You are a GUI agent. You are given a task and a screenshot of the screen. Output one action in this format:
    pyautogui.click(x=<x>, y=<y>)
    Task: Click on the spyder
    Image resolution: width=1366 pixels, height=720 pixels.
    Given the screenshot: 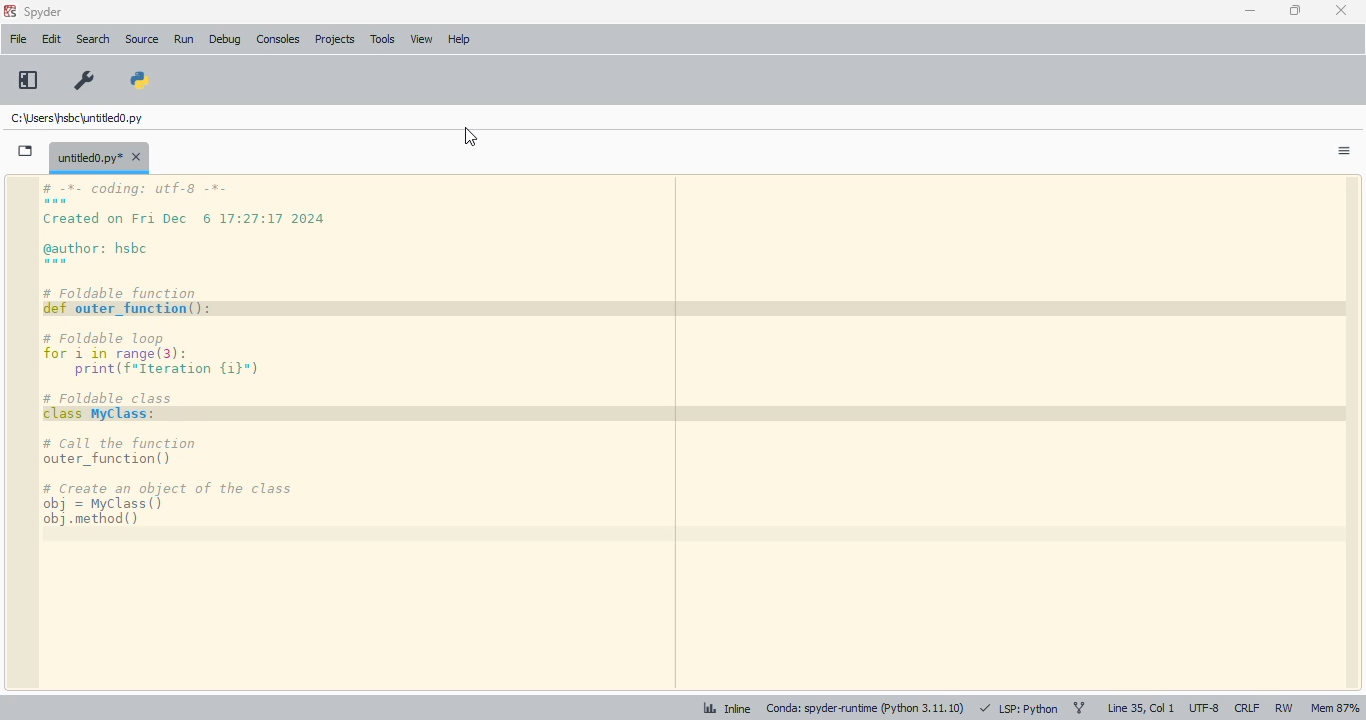 What is the action you would take?
    pyautogui.click(x=43, y=12)
    